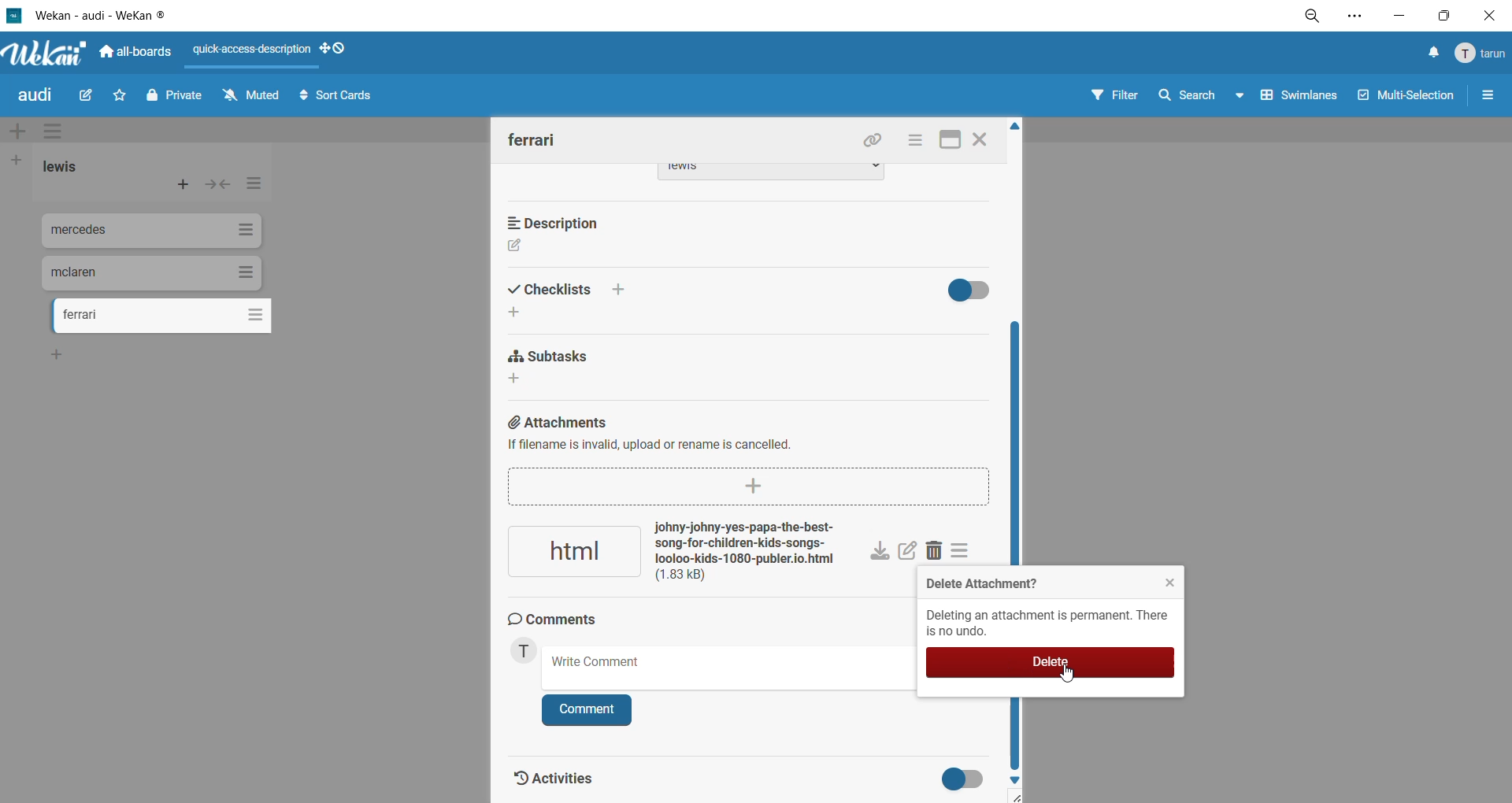  Describe the element at coordinates (561, 224) in the screenshot. I see `description` at that location.